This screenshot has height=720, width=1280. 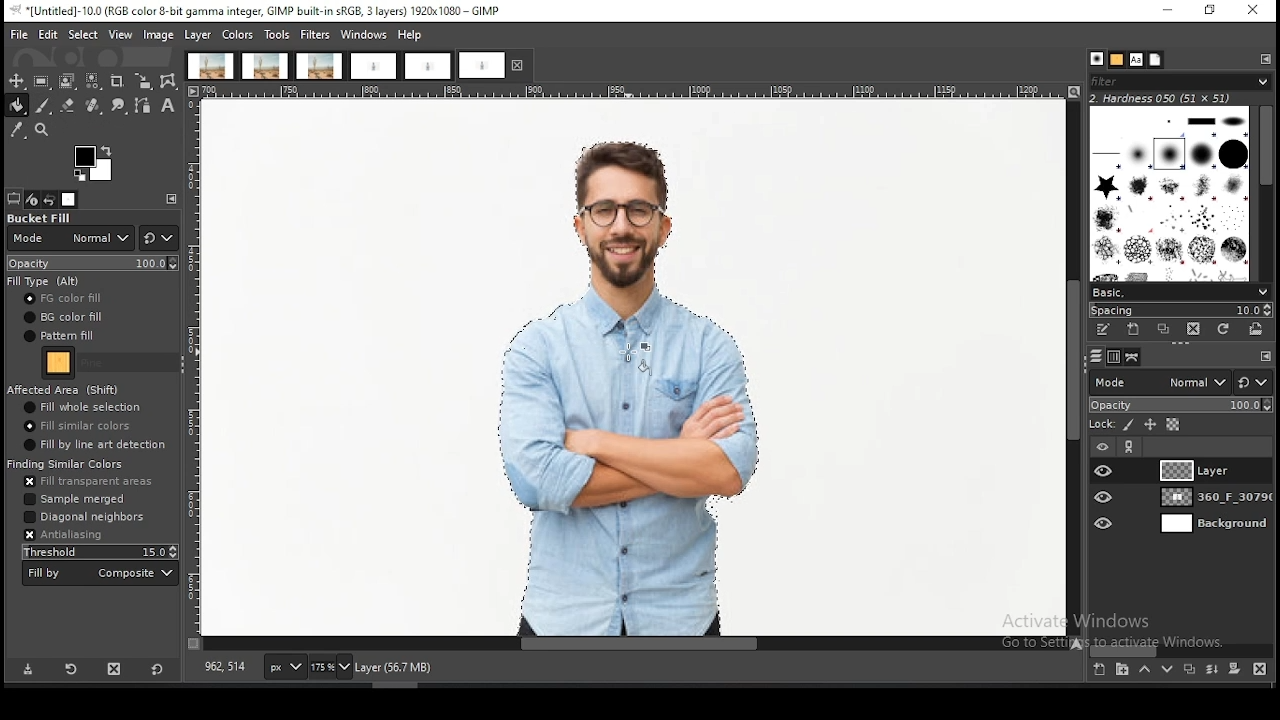 I want to click on scale tool, so click(x=143, y=82).